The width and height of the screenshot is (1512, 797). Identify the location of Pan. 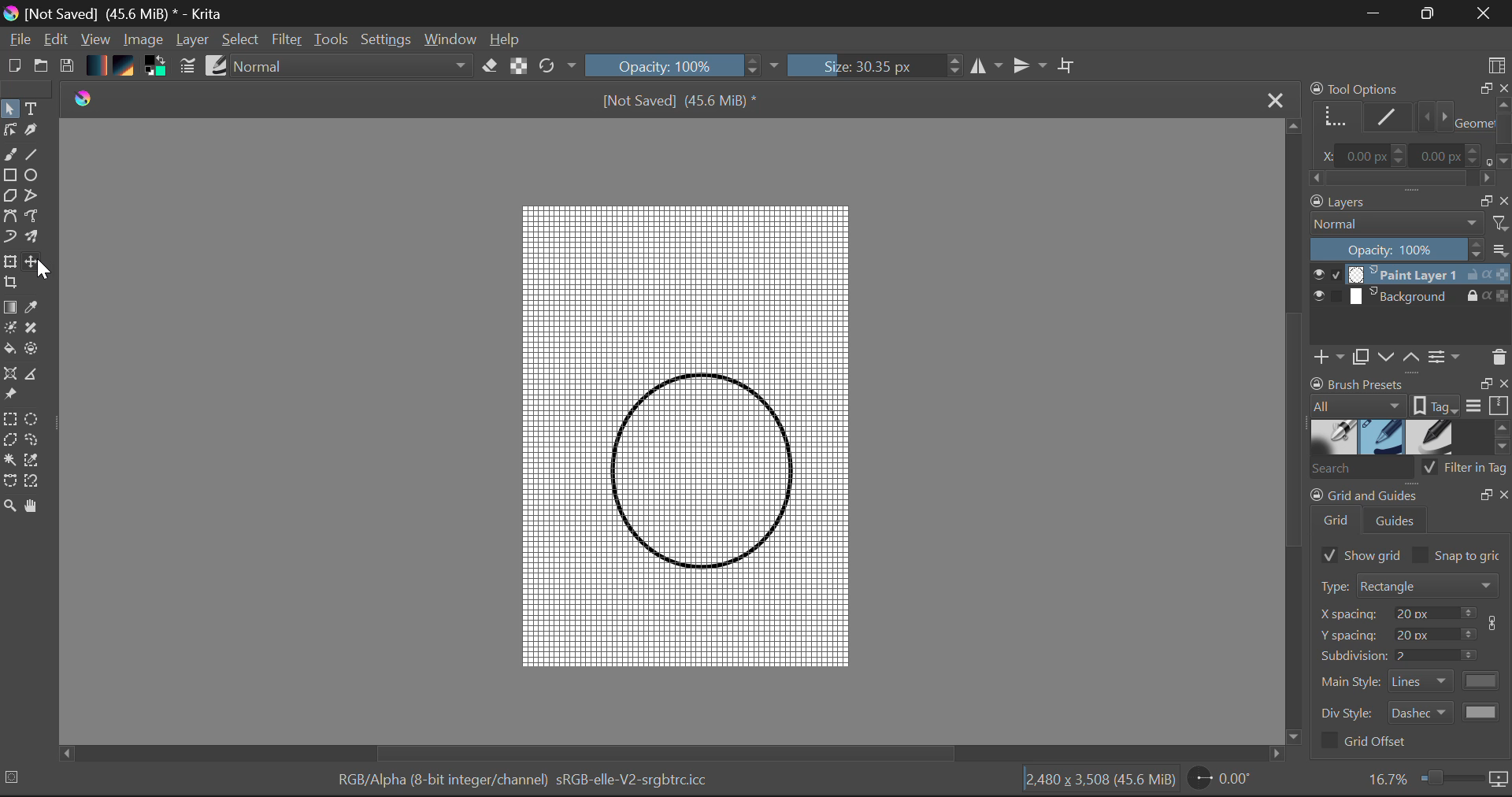
(35, 506).